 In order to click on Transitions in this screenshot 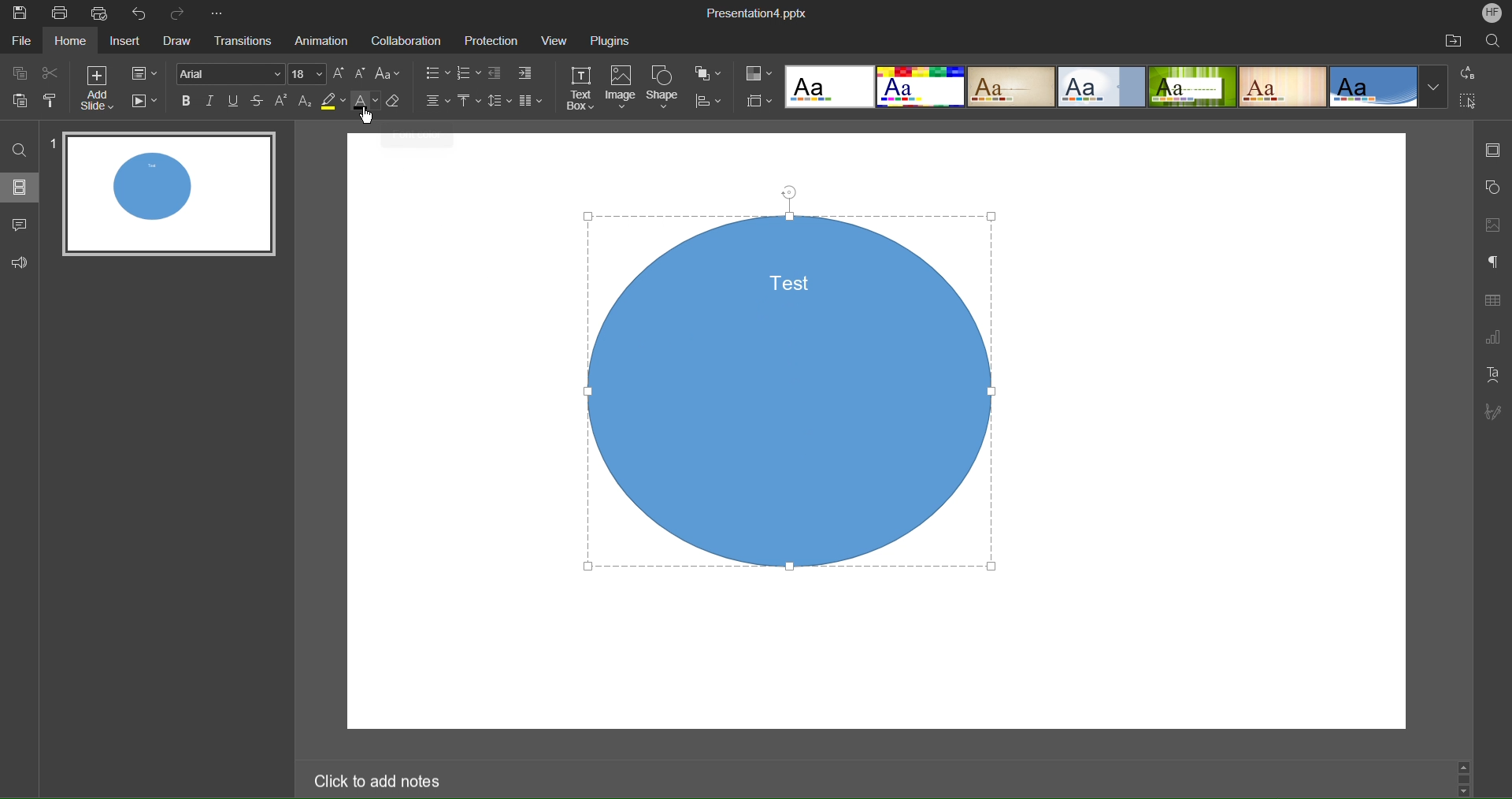, I will do `click(242, 39)`.